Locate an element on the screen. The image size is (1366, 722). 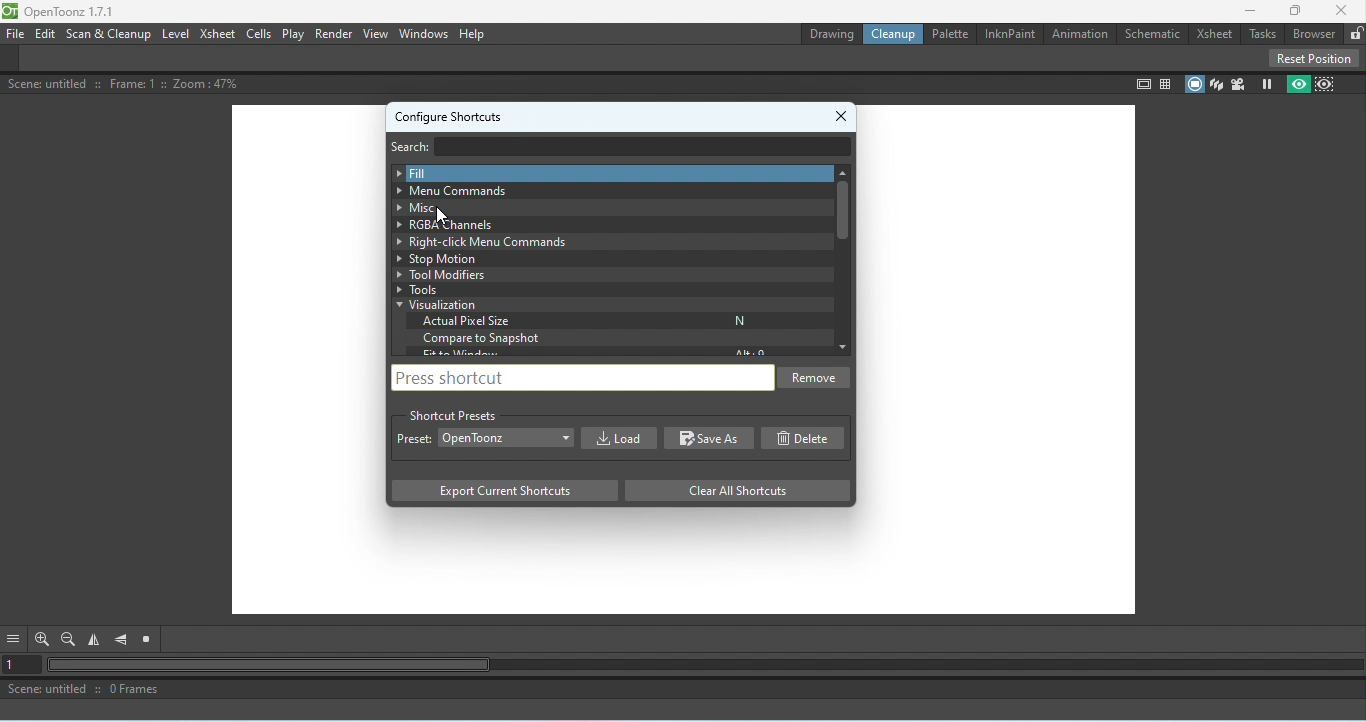
Tasks is located at coordinates (1262, 33).